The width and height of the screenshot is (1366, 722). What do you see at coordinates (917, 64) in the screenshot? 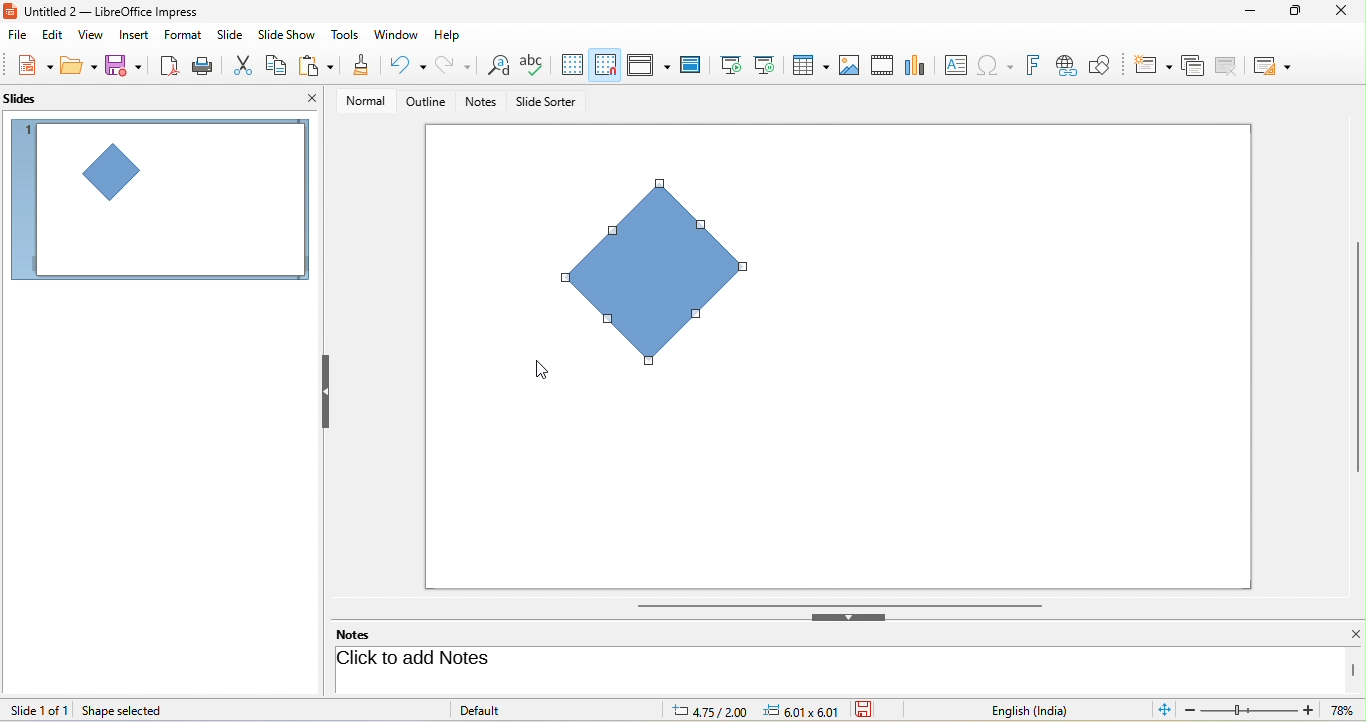
I see `chart` at bounding box center [917, 64].